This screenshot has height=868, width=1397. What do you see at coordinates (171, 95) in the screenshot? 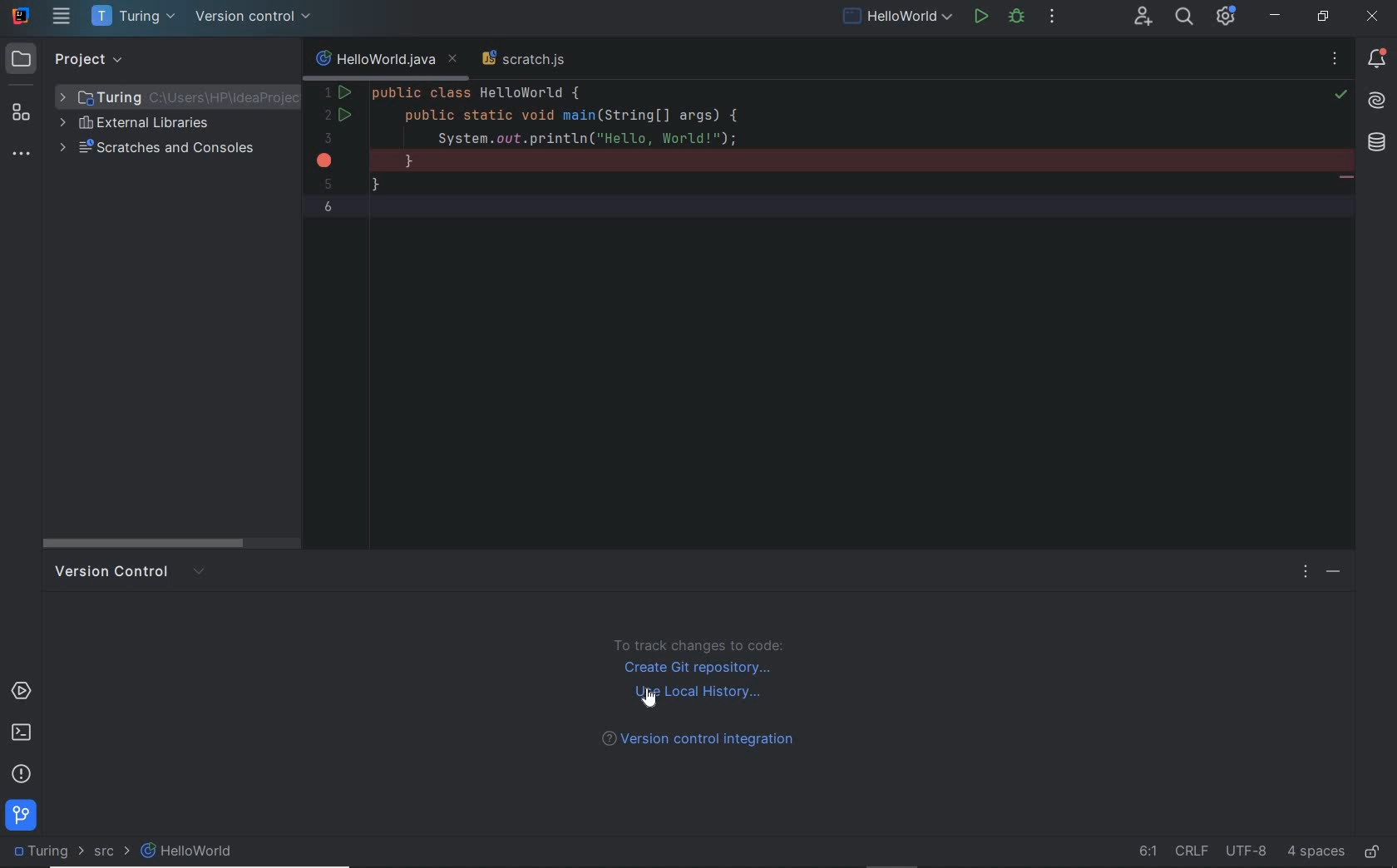
I see `project folder` at bounding box center [171, 95].